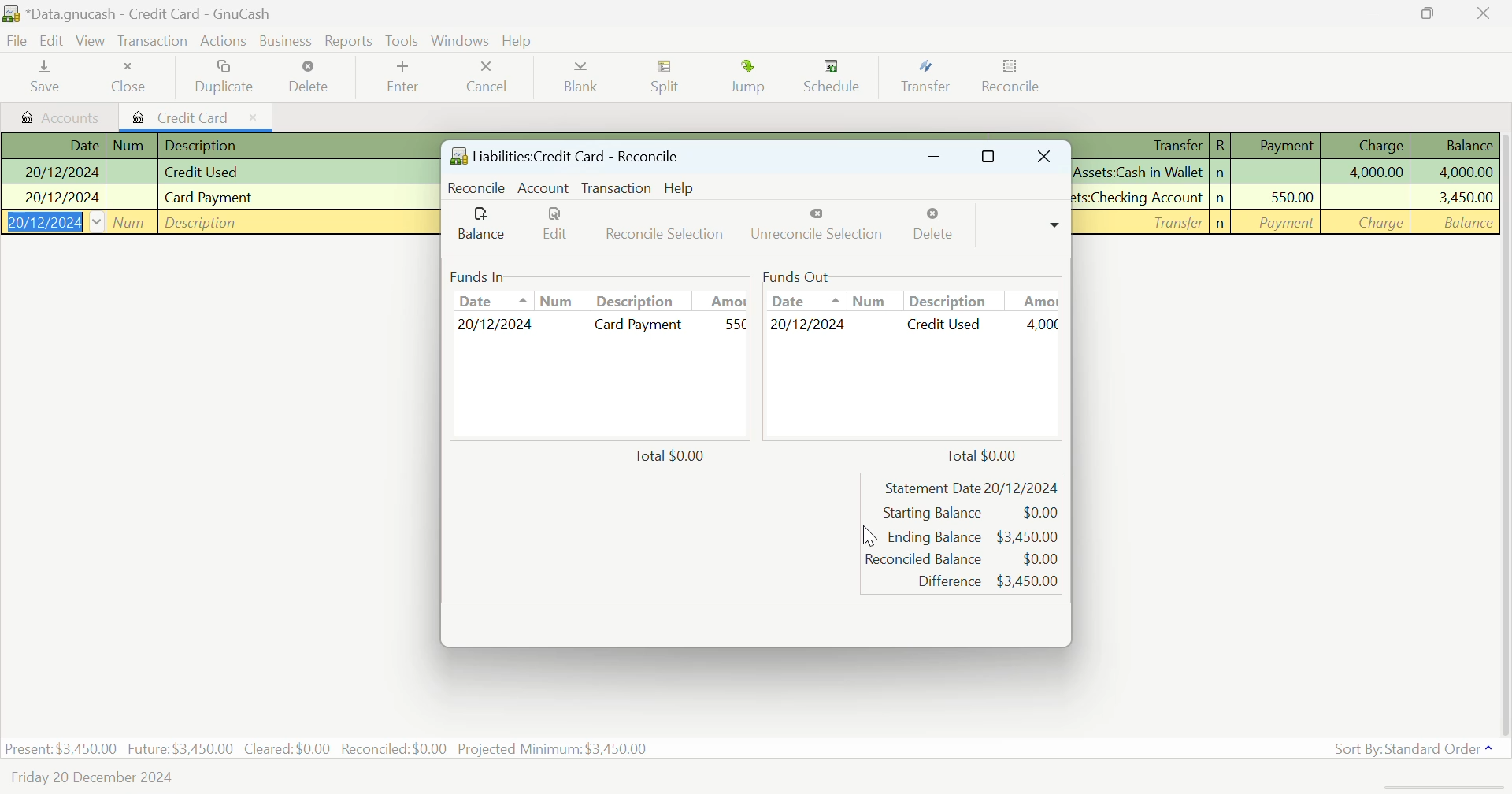  Describe the element at coordinates (988, 159) in the screenshot. I see `Maximize` at that location.